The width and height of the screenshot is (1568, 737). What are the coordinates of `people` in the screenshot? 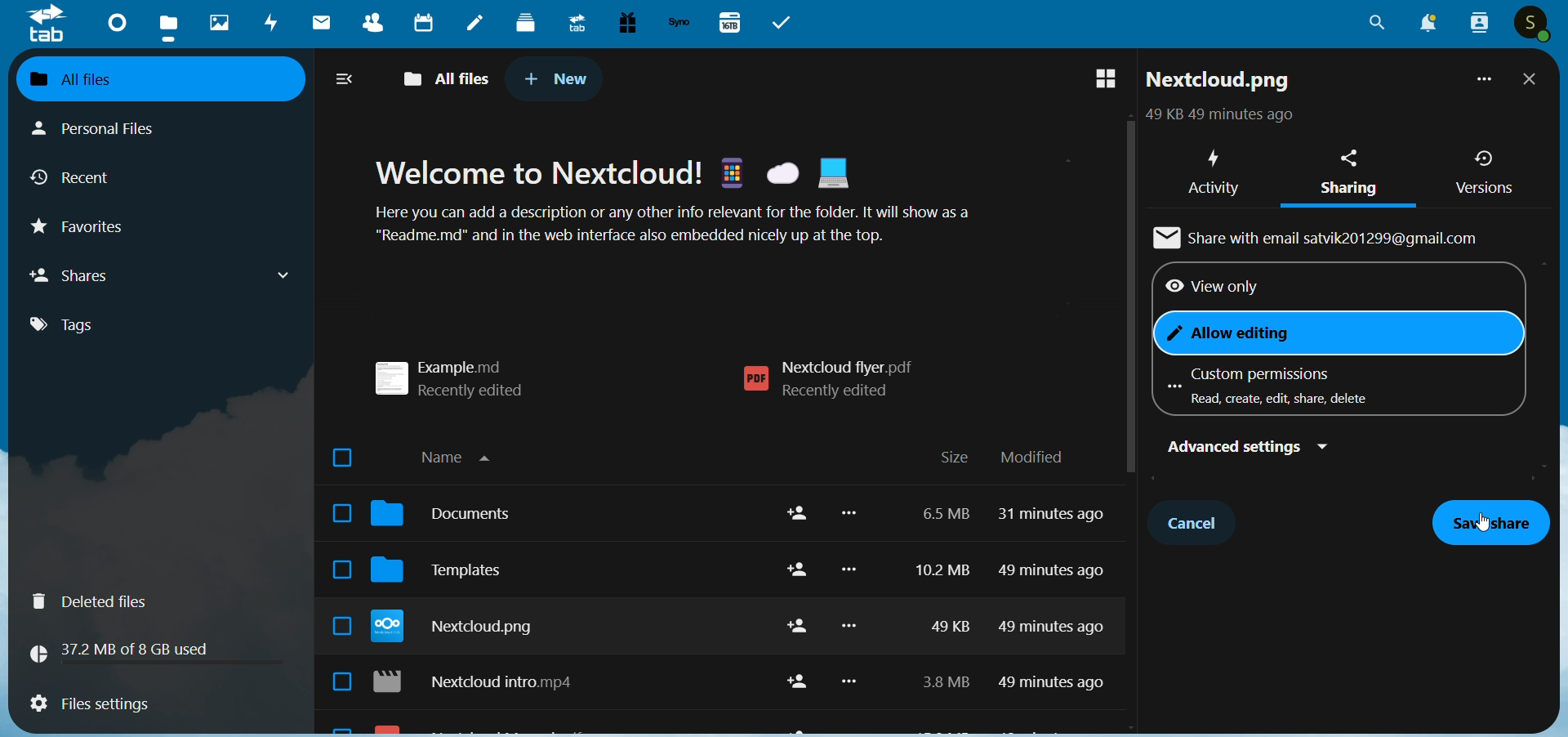 It's located at (1477, 23).